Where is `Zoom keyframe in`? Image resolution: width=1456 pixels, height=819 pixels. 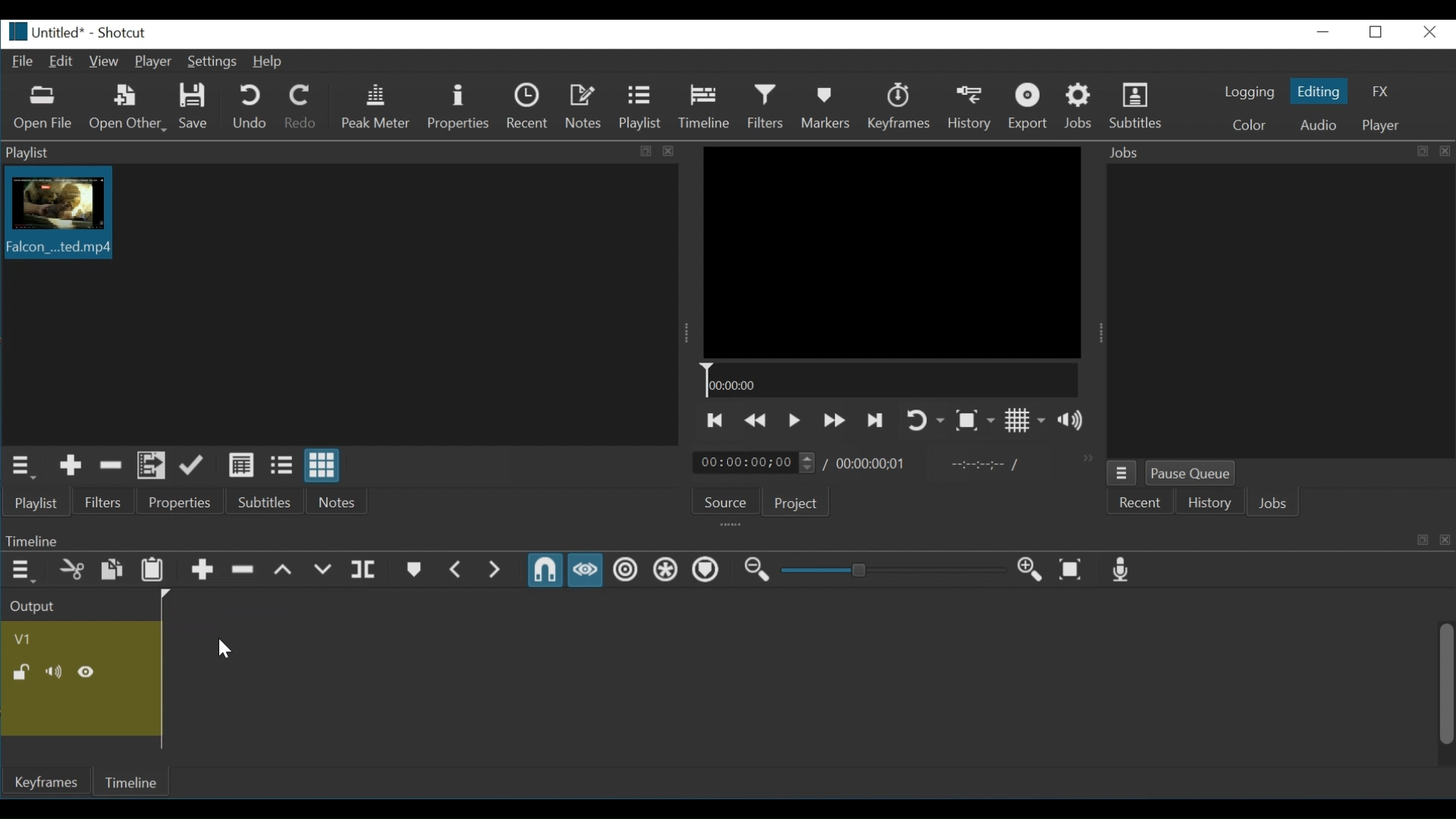 Zoom keyframe in is located at coordinates (1027, 568).